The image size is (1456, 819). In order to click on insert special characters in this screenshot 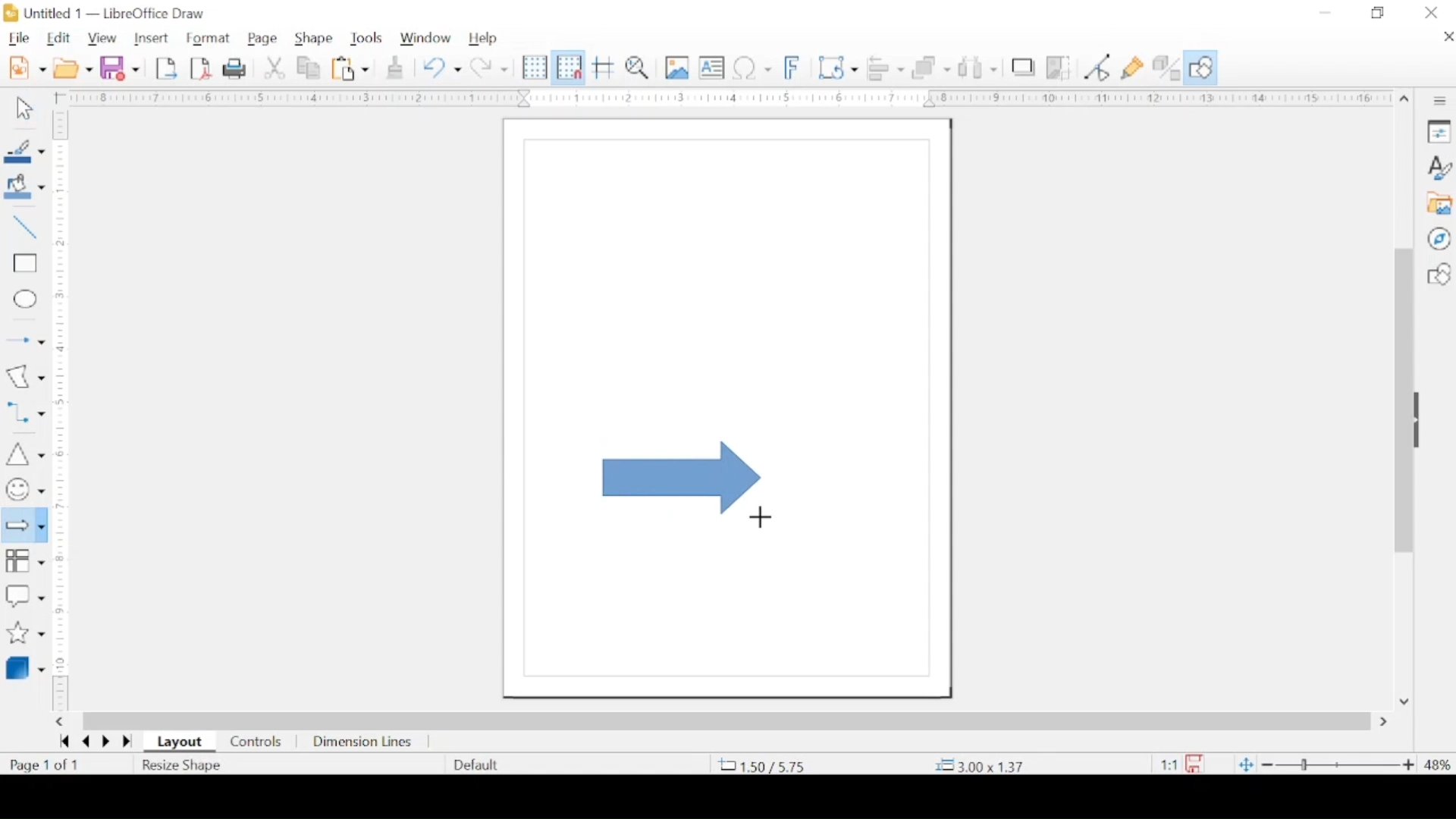, I will do `click(752, 67)`.